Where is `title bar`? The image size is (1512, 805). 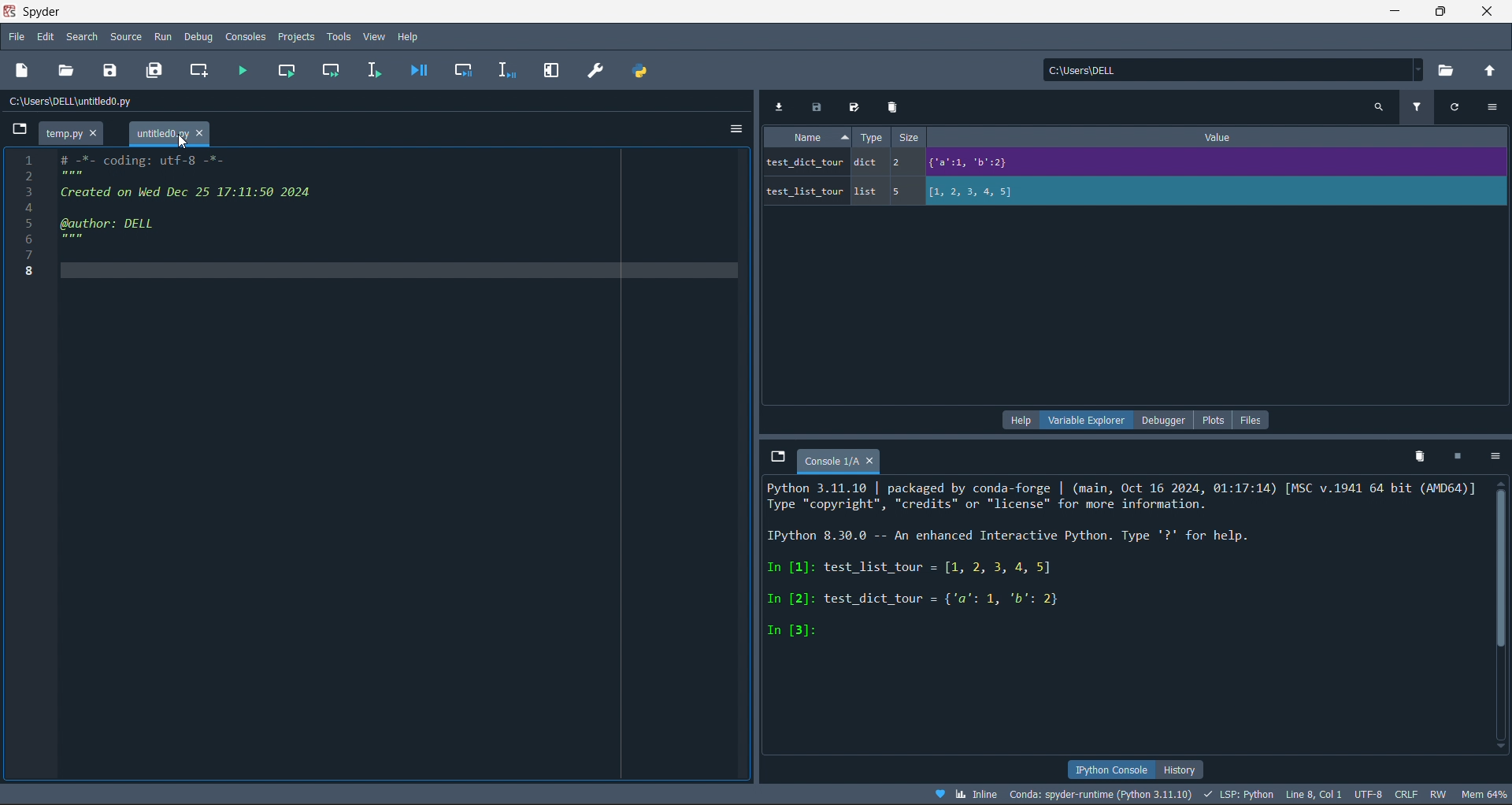 title bar is located at coordinates (69, 12).